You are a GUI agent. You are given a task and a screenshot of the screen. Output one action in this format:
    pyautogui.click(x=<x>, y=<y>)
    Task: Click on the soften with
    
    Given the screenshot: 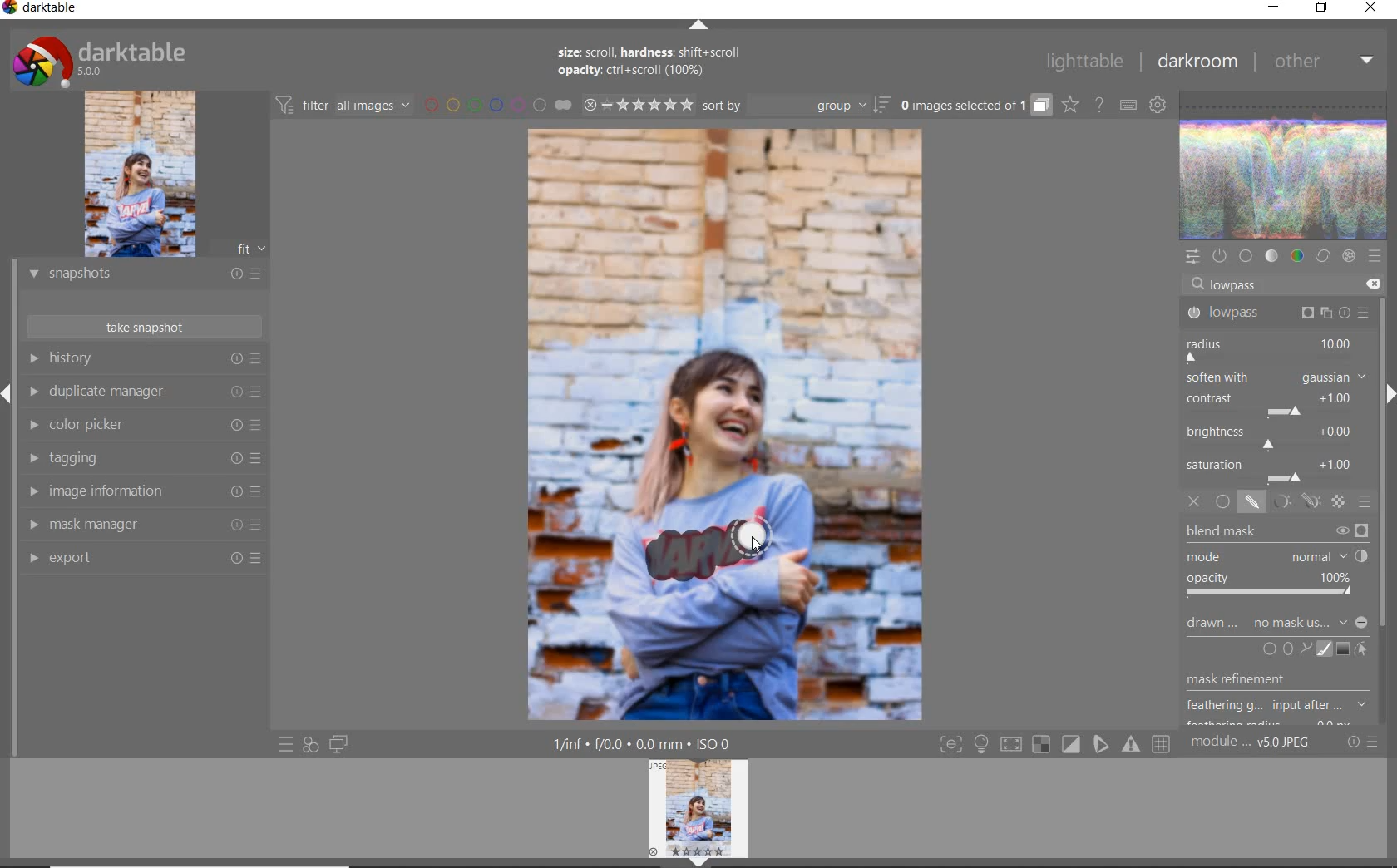 What is the action you would take?
    pyautogui.click(x=1276, y=377)
    